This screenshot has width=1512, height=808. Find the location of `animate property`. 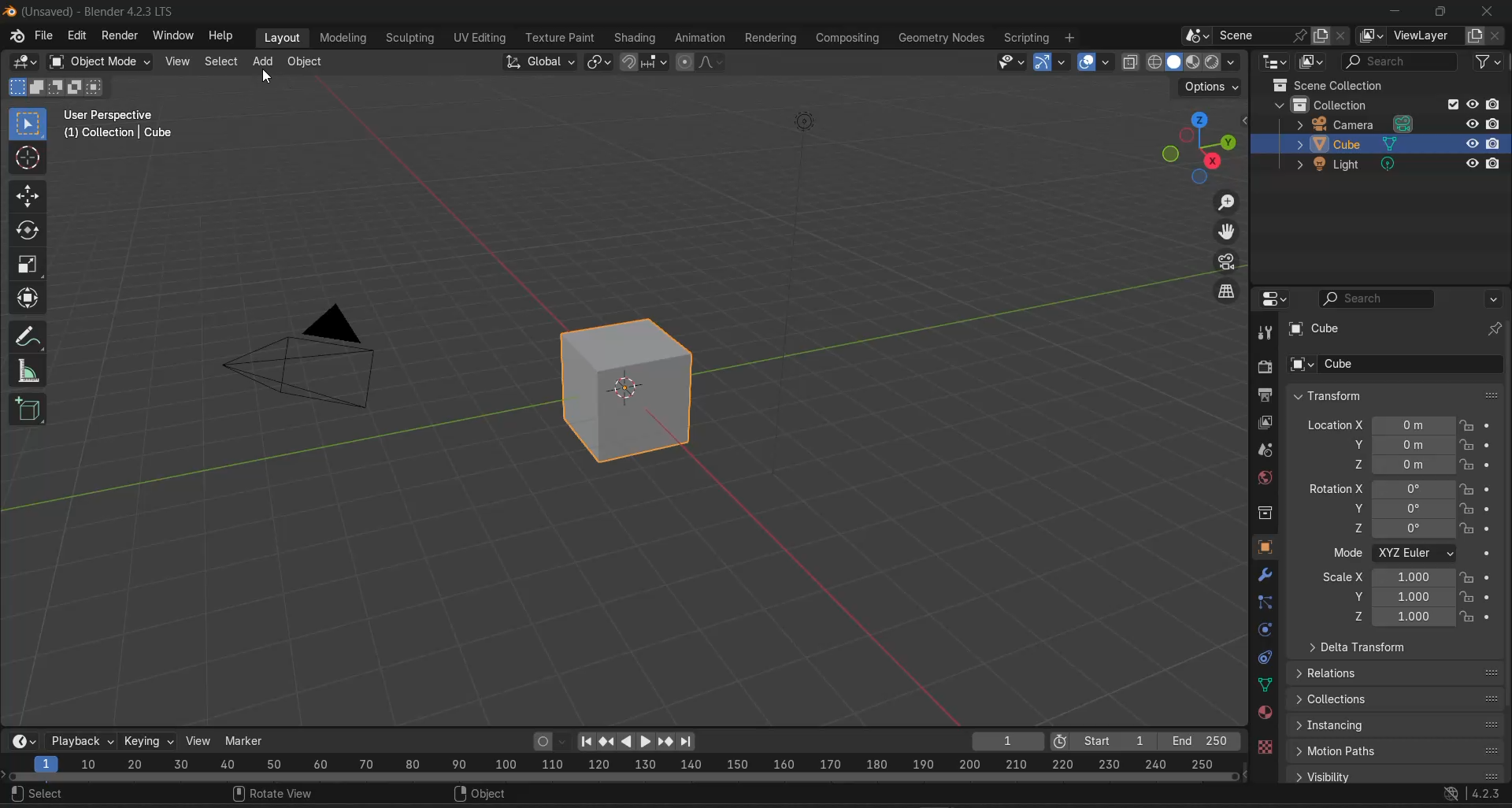

animate property is located at coordinates (1489, 595).